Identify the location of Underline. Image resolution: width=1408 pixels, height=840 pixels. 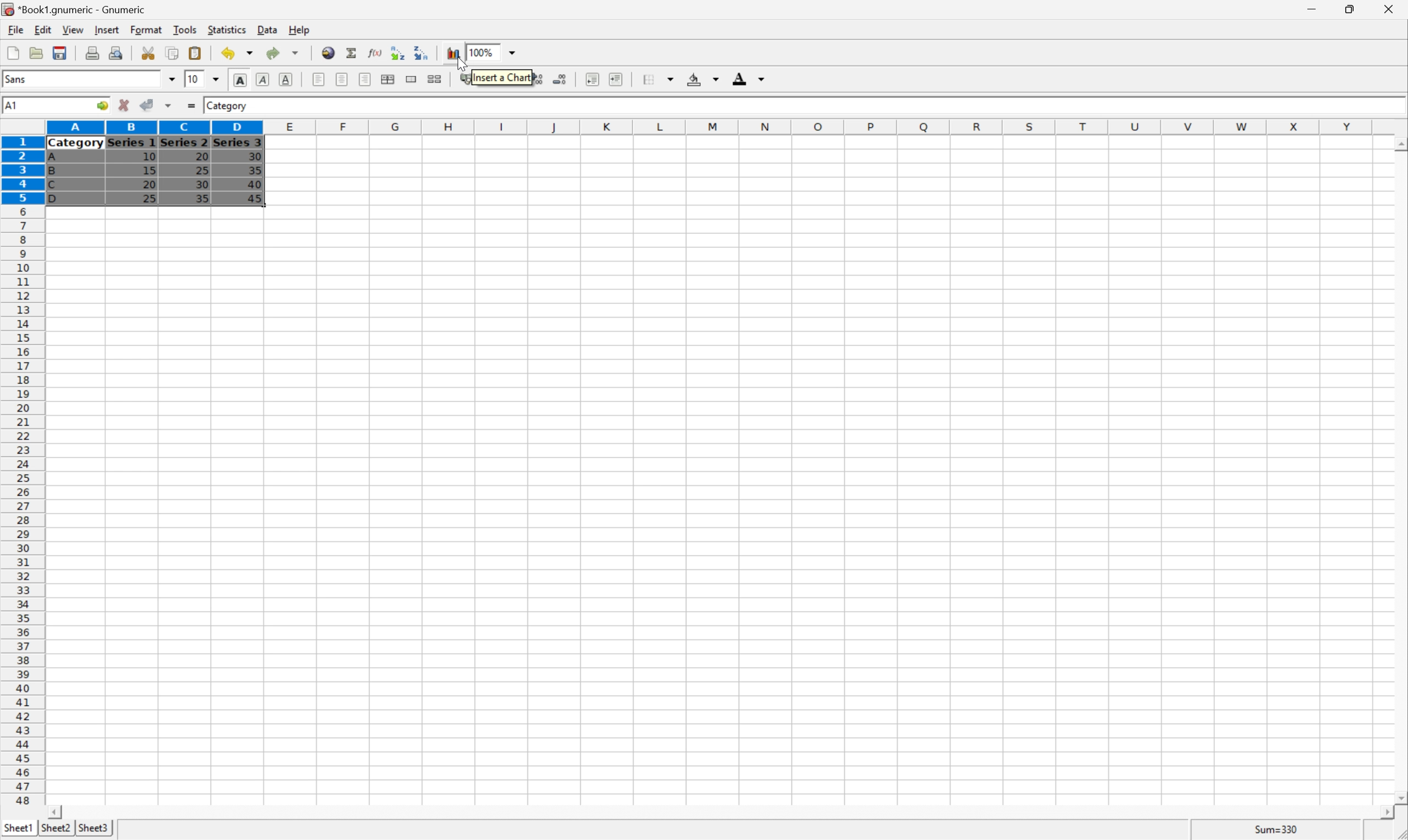
(286, 78).